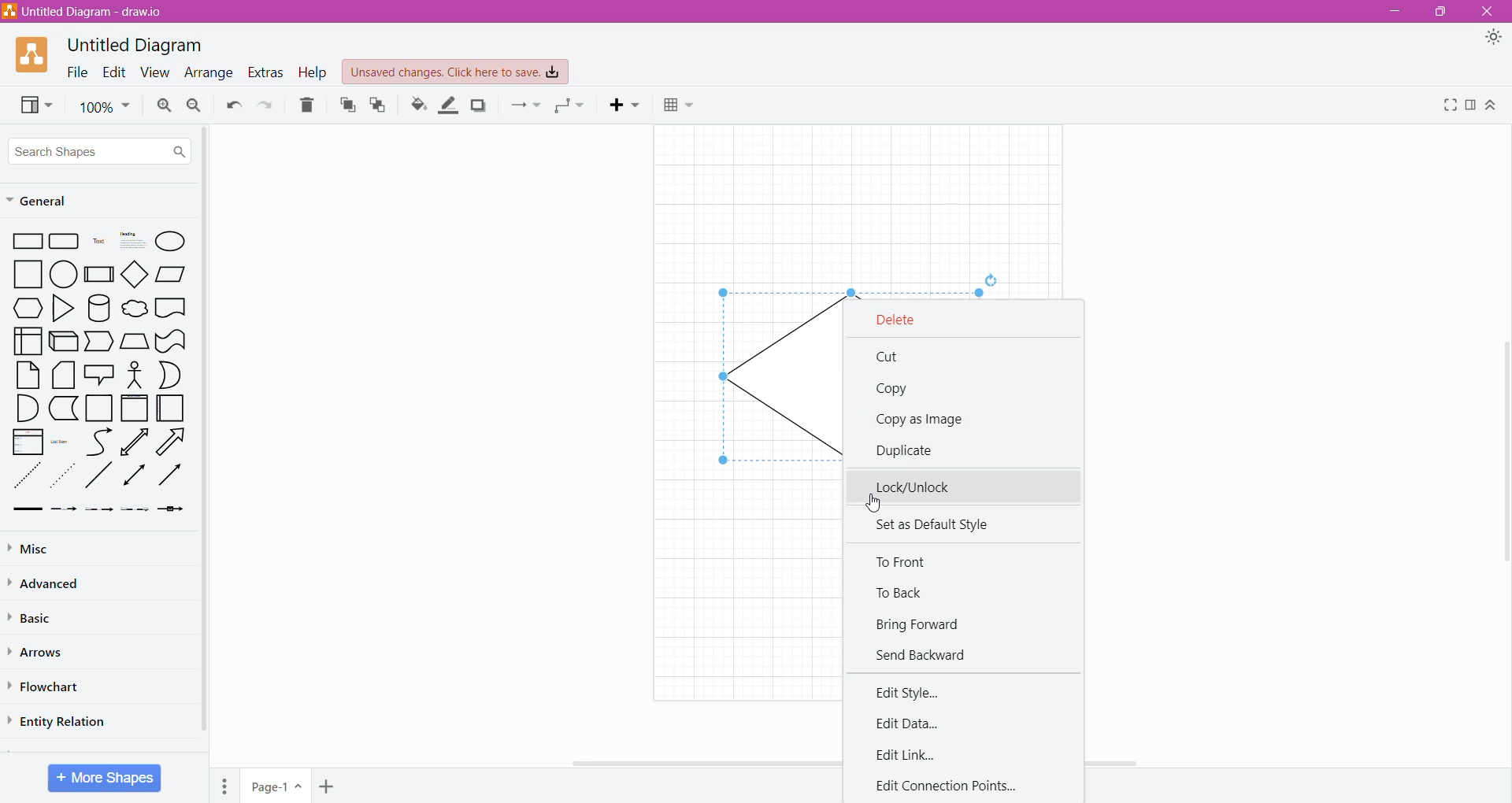 This screenshot has width=1512, height=803. Describe the element at coordinates (313, 73) in the screenshot. I see `Help` at that location.